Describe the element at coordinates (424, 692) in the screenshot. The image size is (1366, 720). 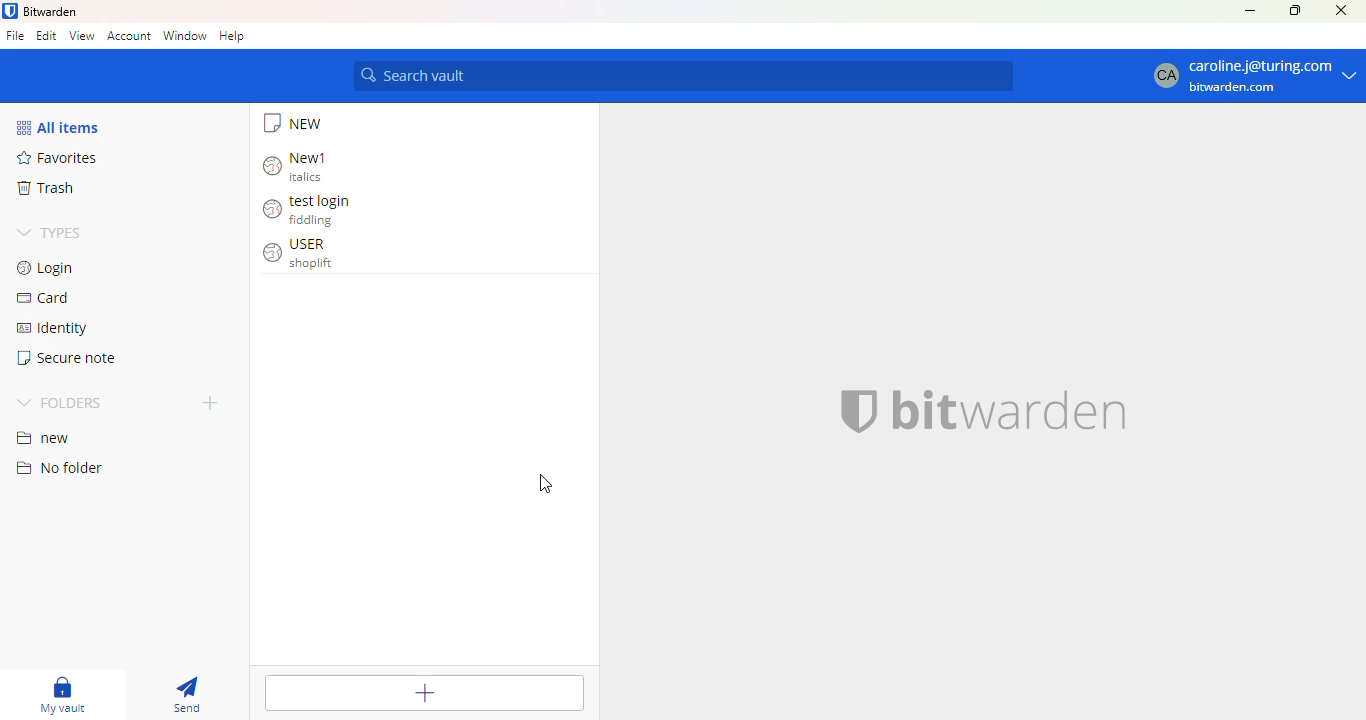
I see `add item` at that location.